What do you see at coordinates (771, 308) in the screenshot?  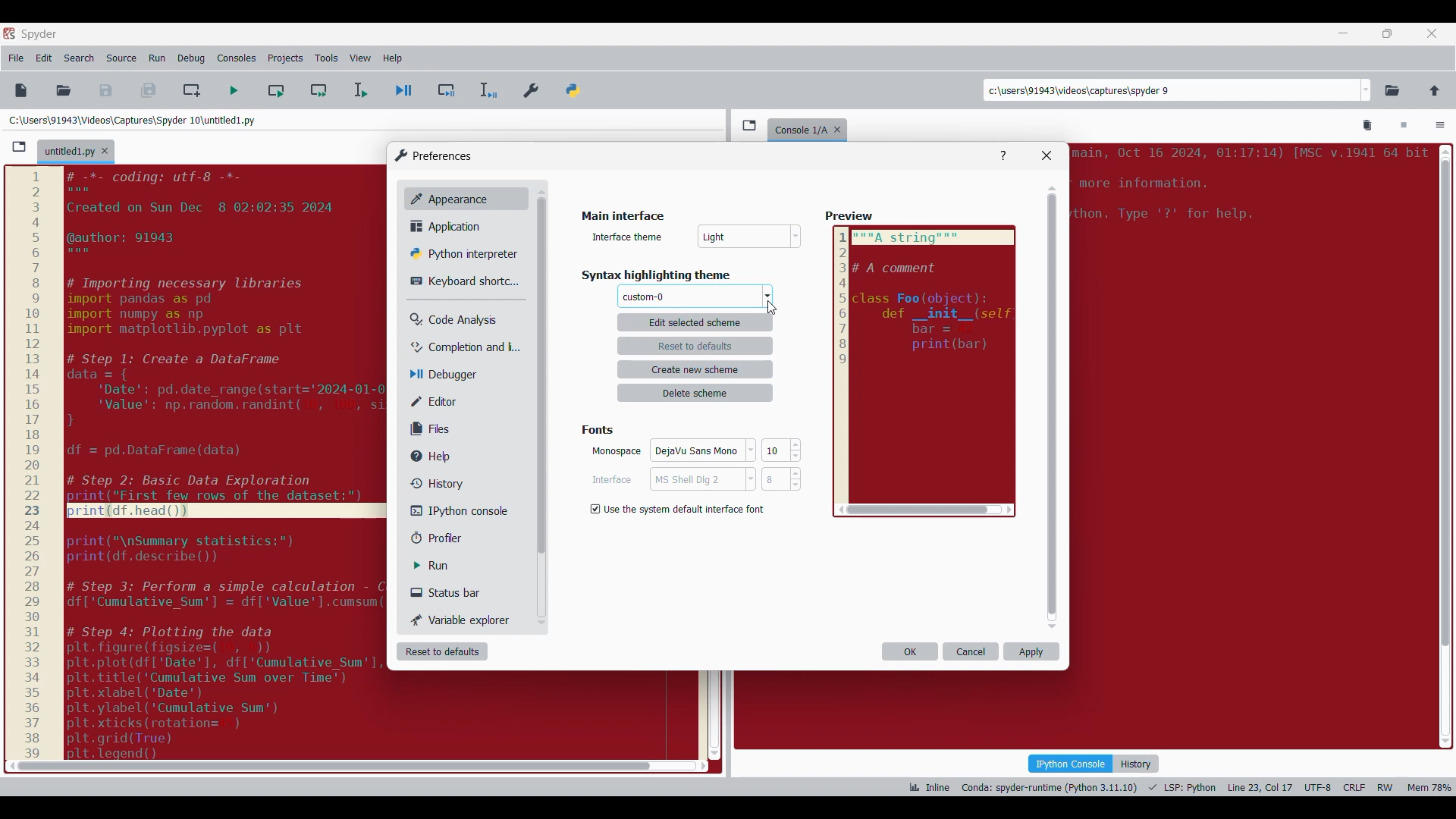 I see `Cursor clicking on theme options` at bounding box center [771, 308].